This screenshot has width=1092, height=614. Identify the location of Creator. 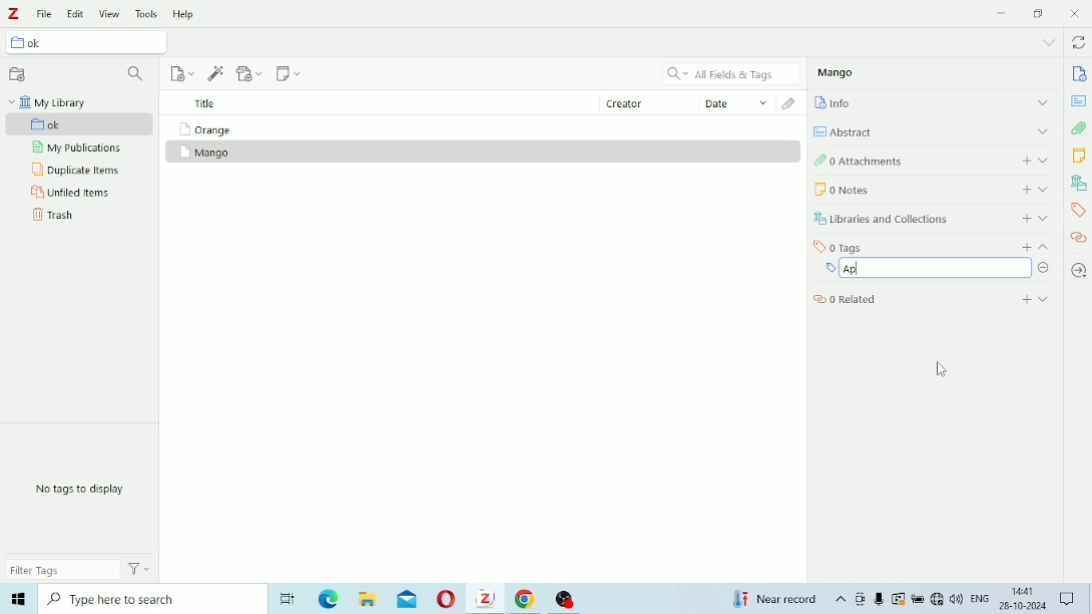
(649, 101).